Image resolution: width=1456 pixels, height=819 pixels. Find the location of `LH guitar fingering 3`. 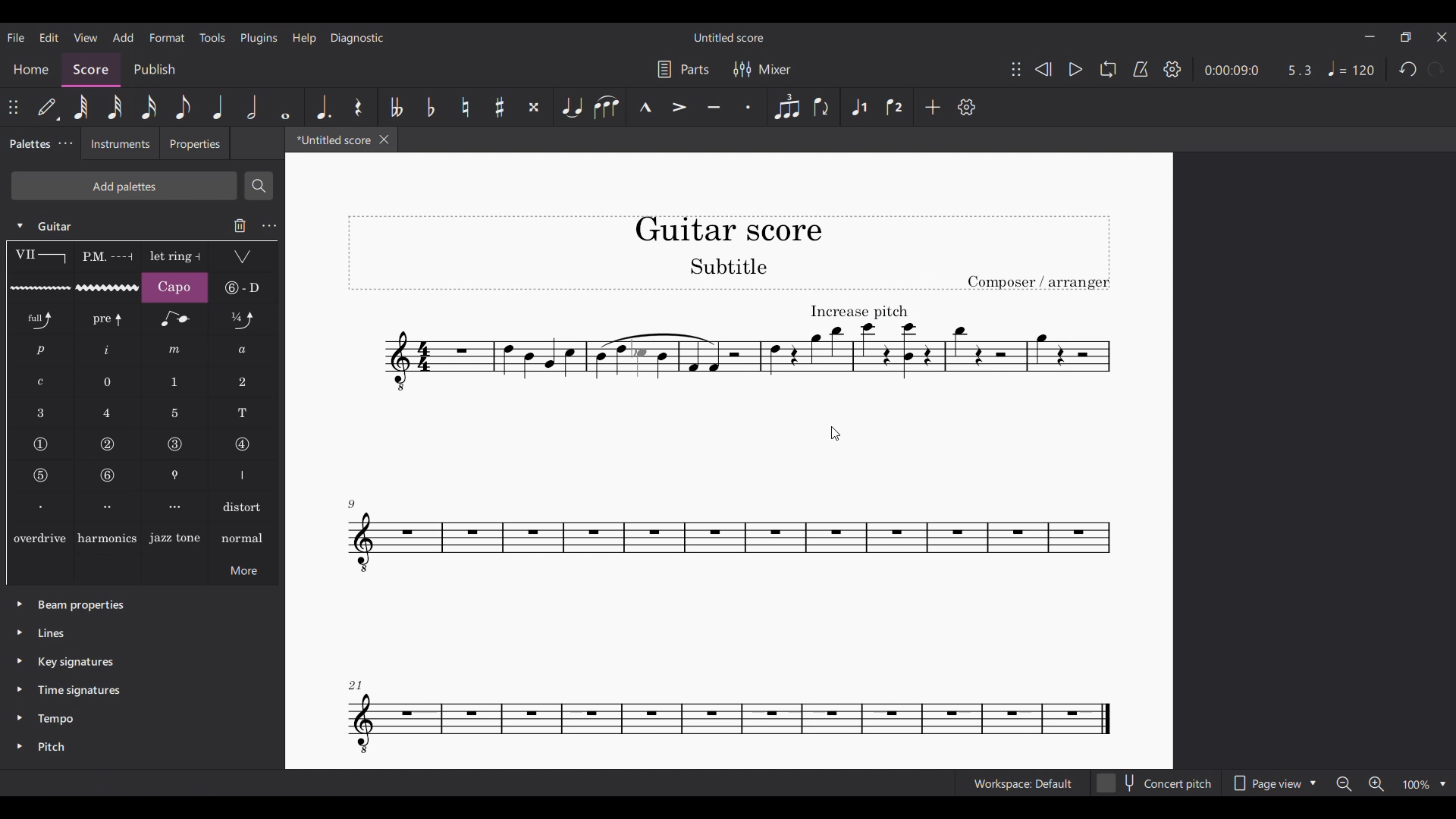

LH guitar fingering 3 is located at coordinates (40, 413).